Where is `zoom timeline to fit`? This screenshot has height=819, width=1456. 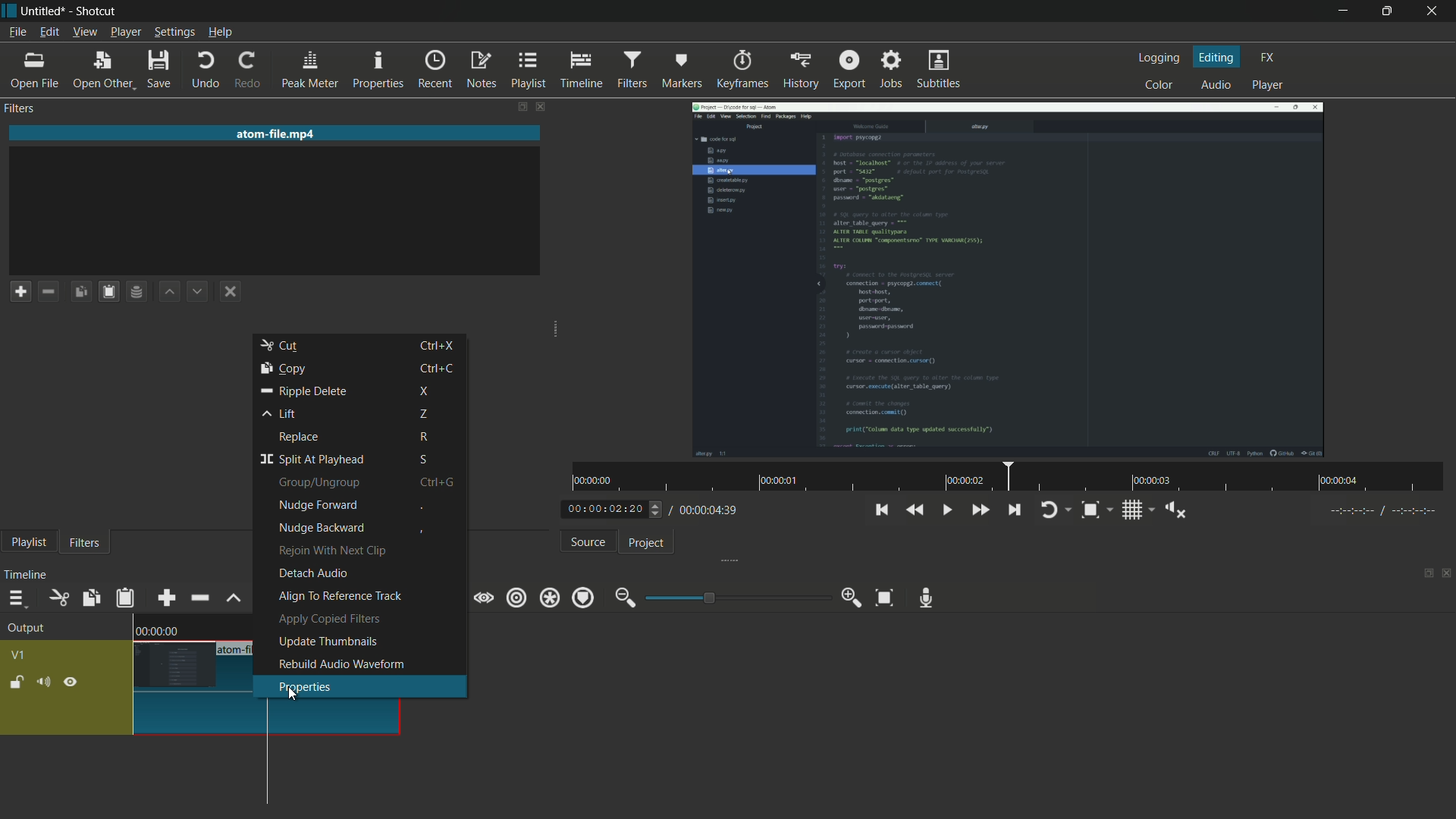
zoom timeline to fit is located at coordinates (885, 598).